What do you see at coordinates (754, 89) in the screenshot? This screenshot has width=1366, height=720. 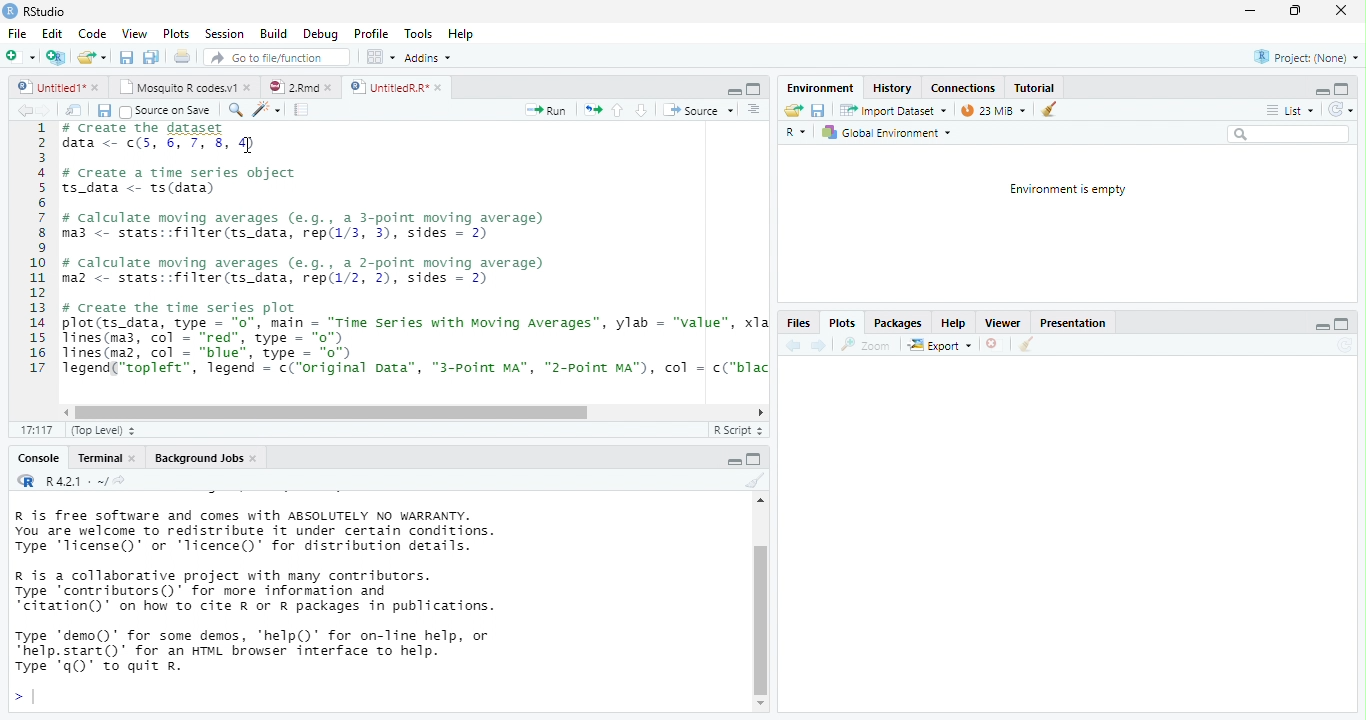 I see `maximize` at bounding box center [754, 89].